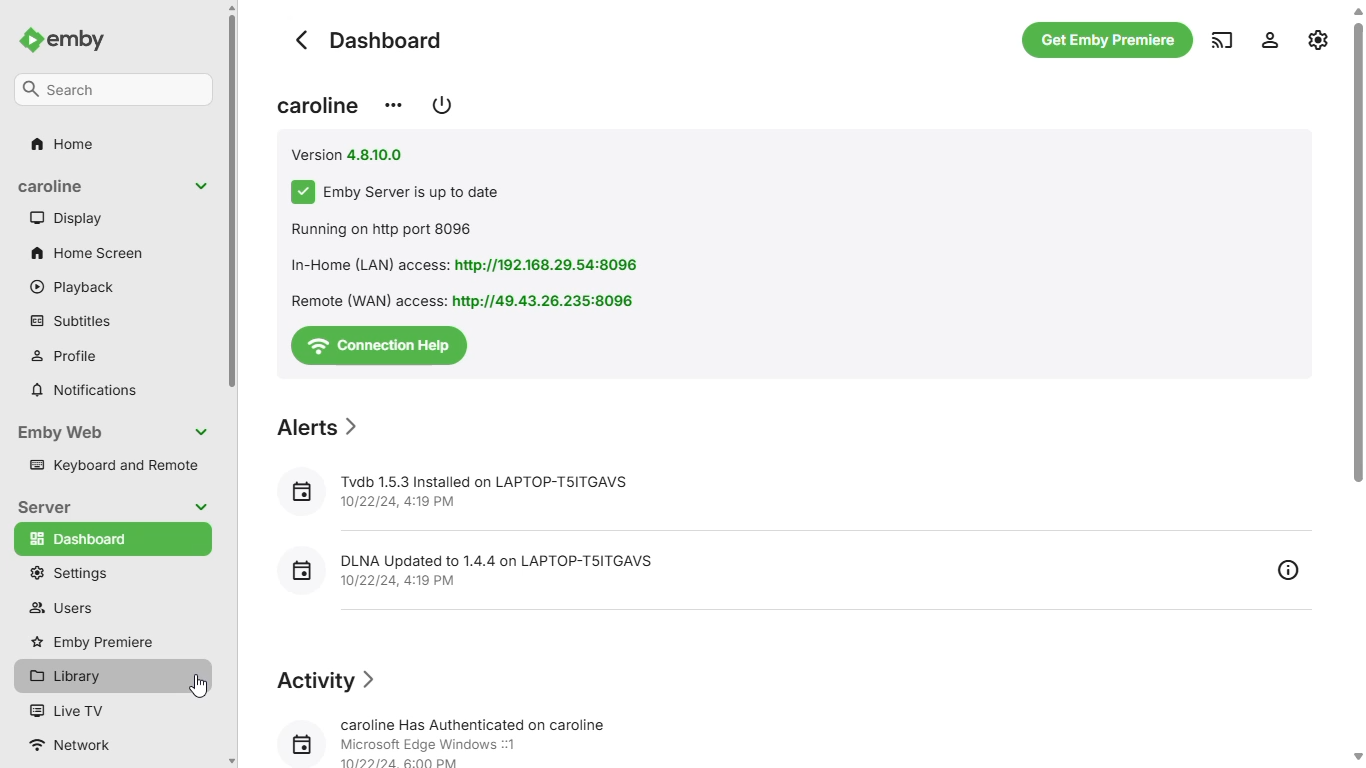 The image size is (1366, 768). I want to click on change server display name/view server info, so click(394, 105).